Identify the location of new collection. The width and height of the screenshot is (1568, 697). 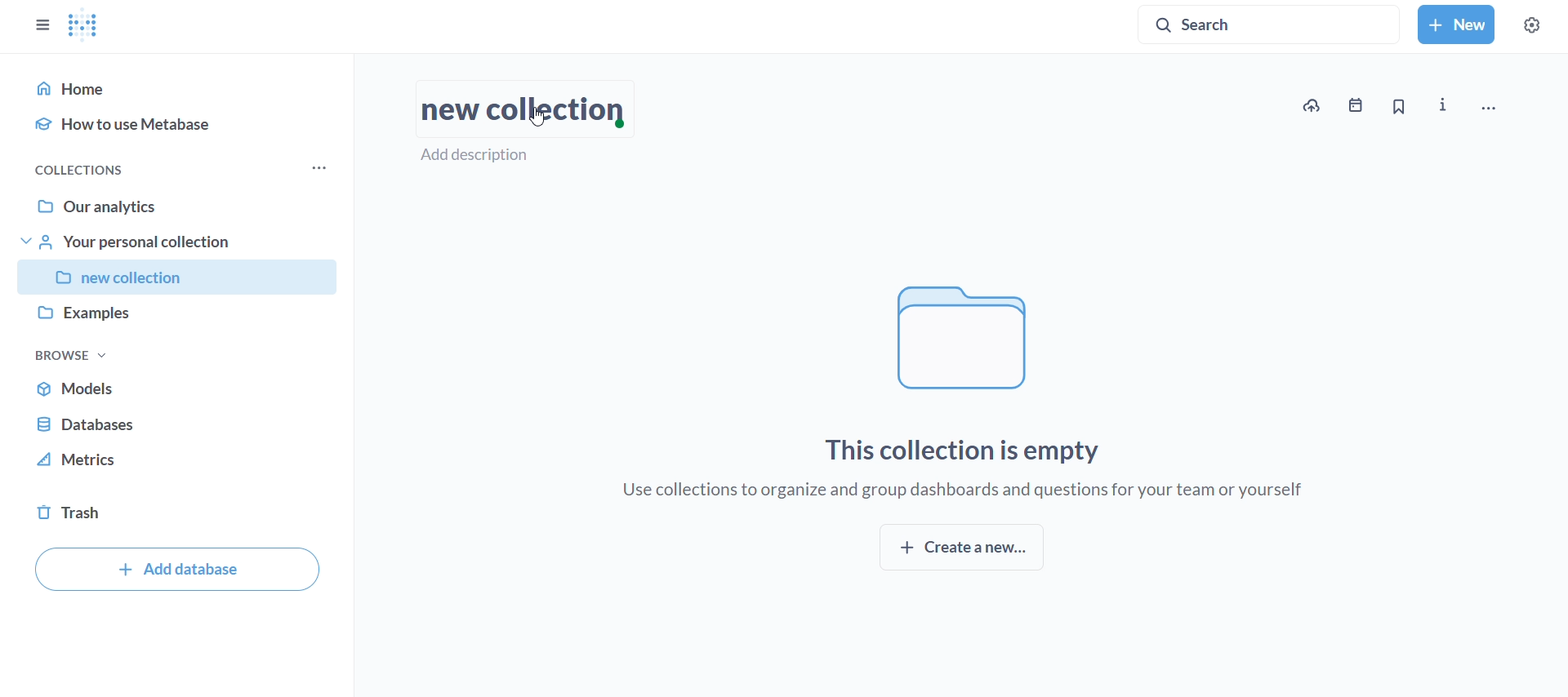
(521, 110).